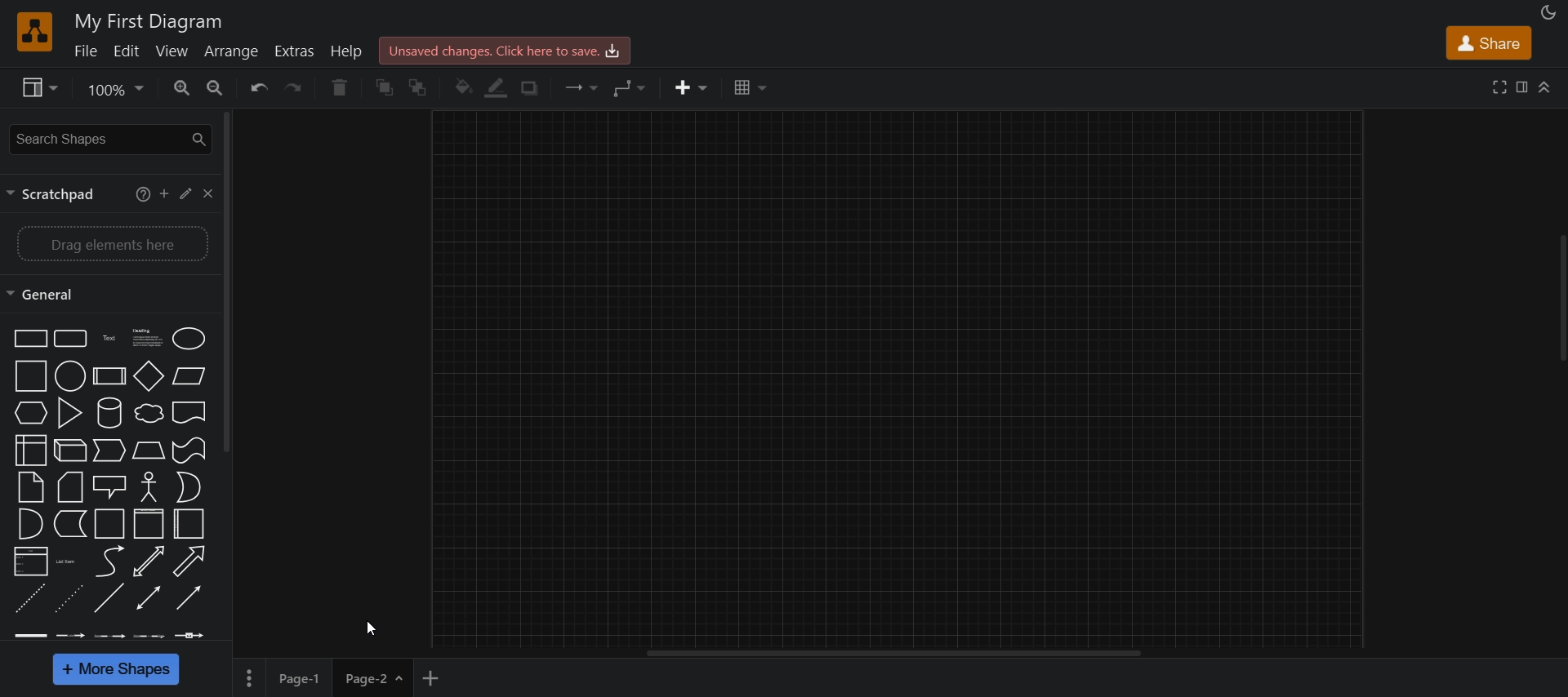  Describe the element at coordinates (113, 89) in the screenshot. I see `zoom` at that location.